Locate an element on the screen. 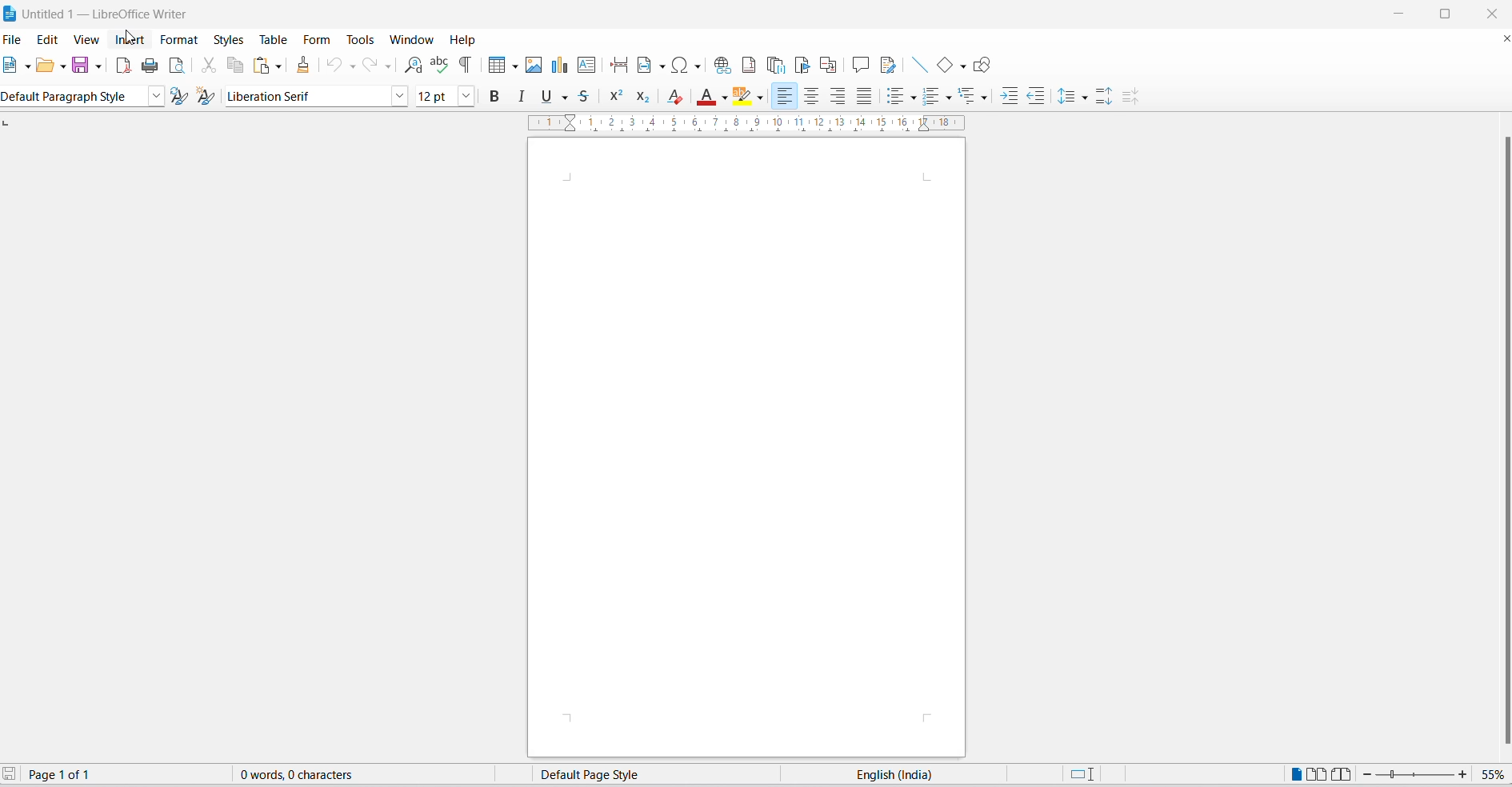 Image resolution: width=1512 pixels, height=787 pixels. open options is located at coordinates (63, 67).